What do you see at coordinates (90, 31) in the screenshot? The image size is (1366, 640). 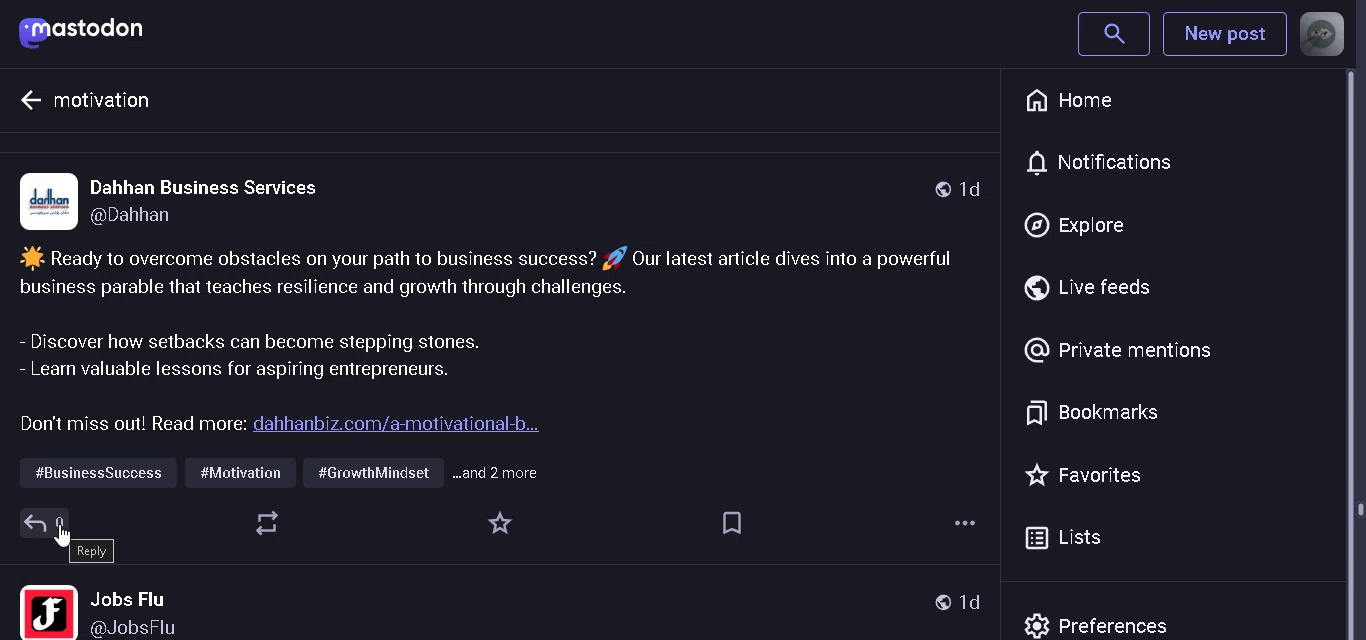 I see `logo` at bounding box center [90, 31].